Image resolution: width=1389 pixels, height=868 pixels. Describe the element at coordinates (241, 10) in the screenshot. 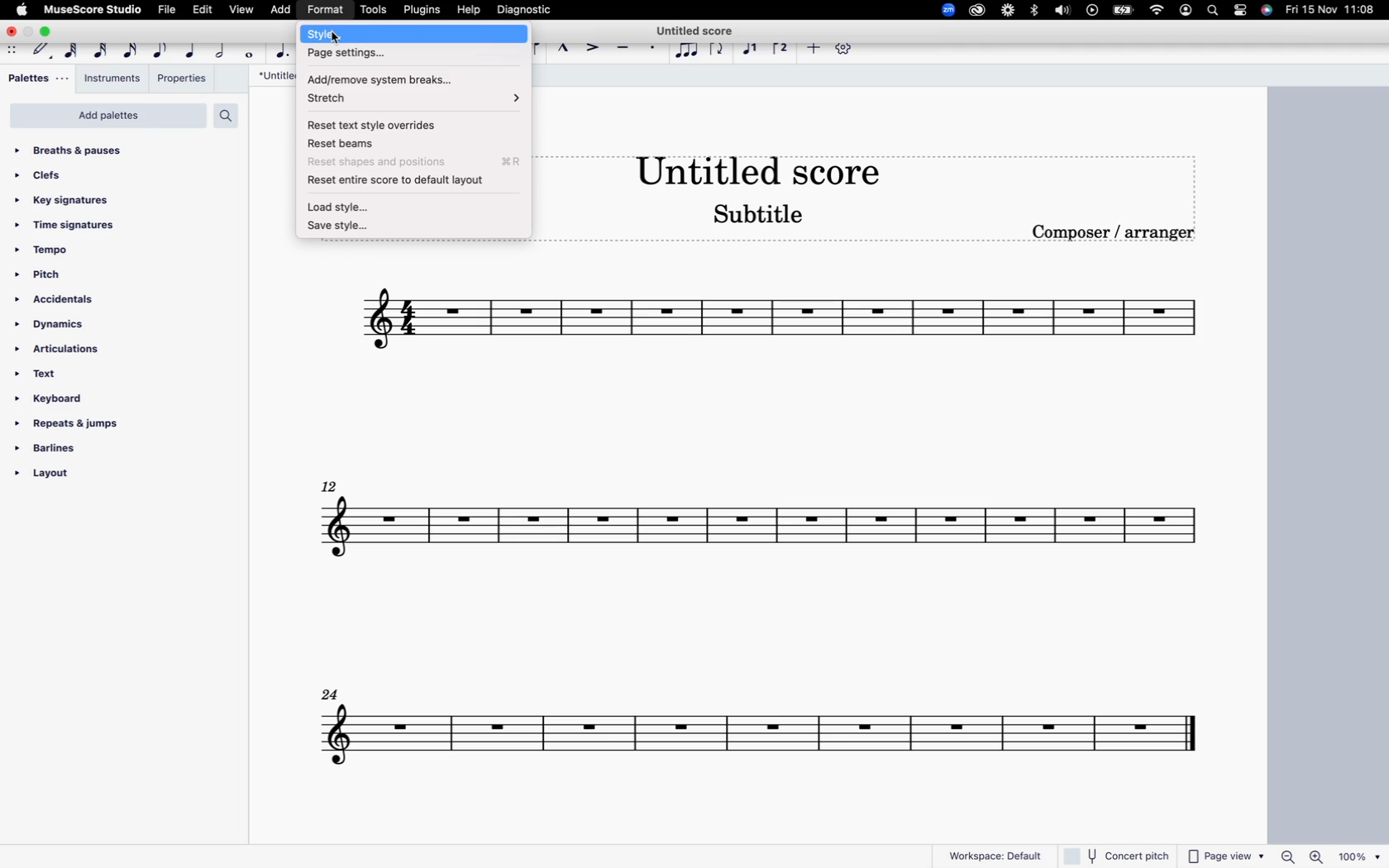

I see `view` at that location.